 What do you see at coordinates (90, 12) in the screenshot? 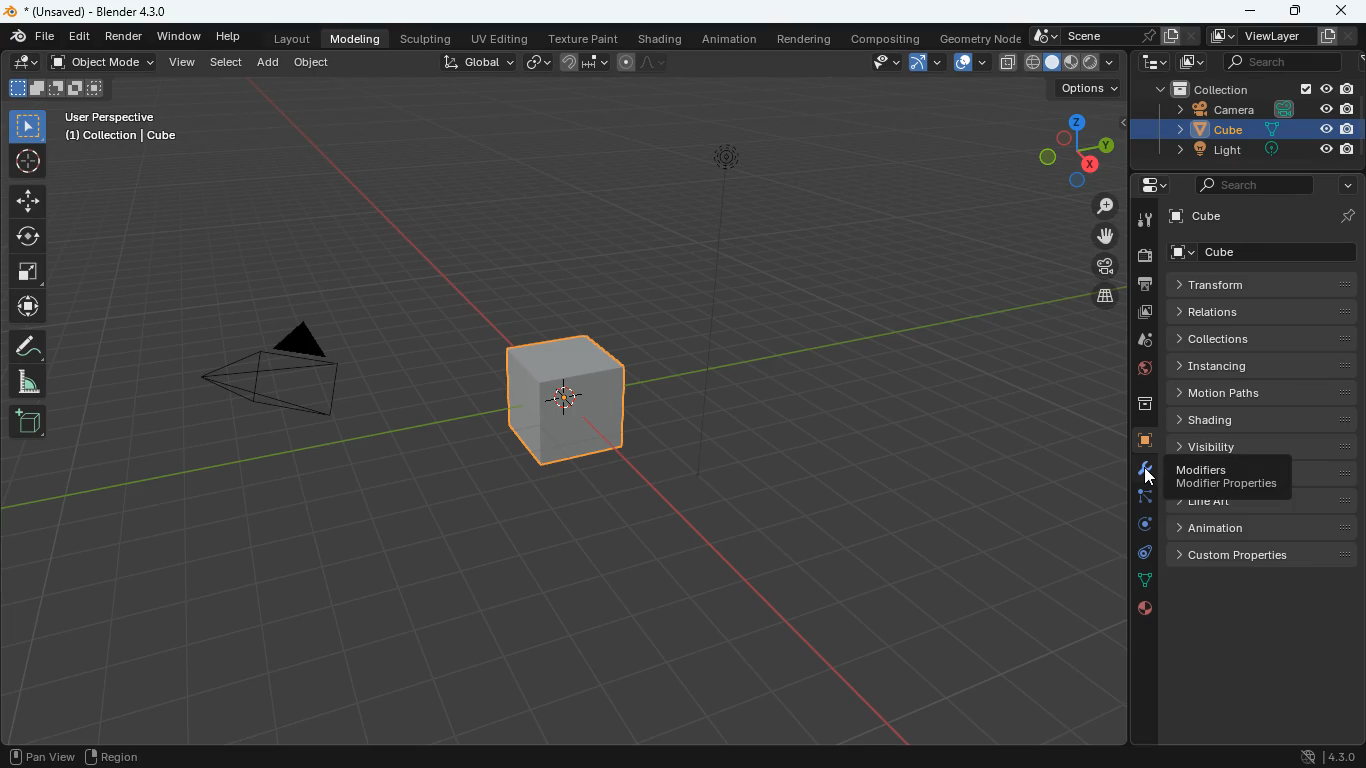
I see `blender` at bounding box center [90, 12].